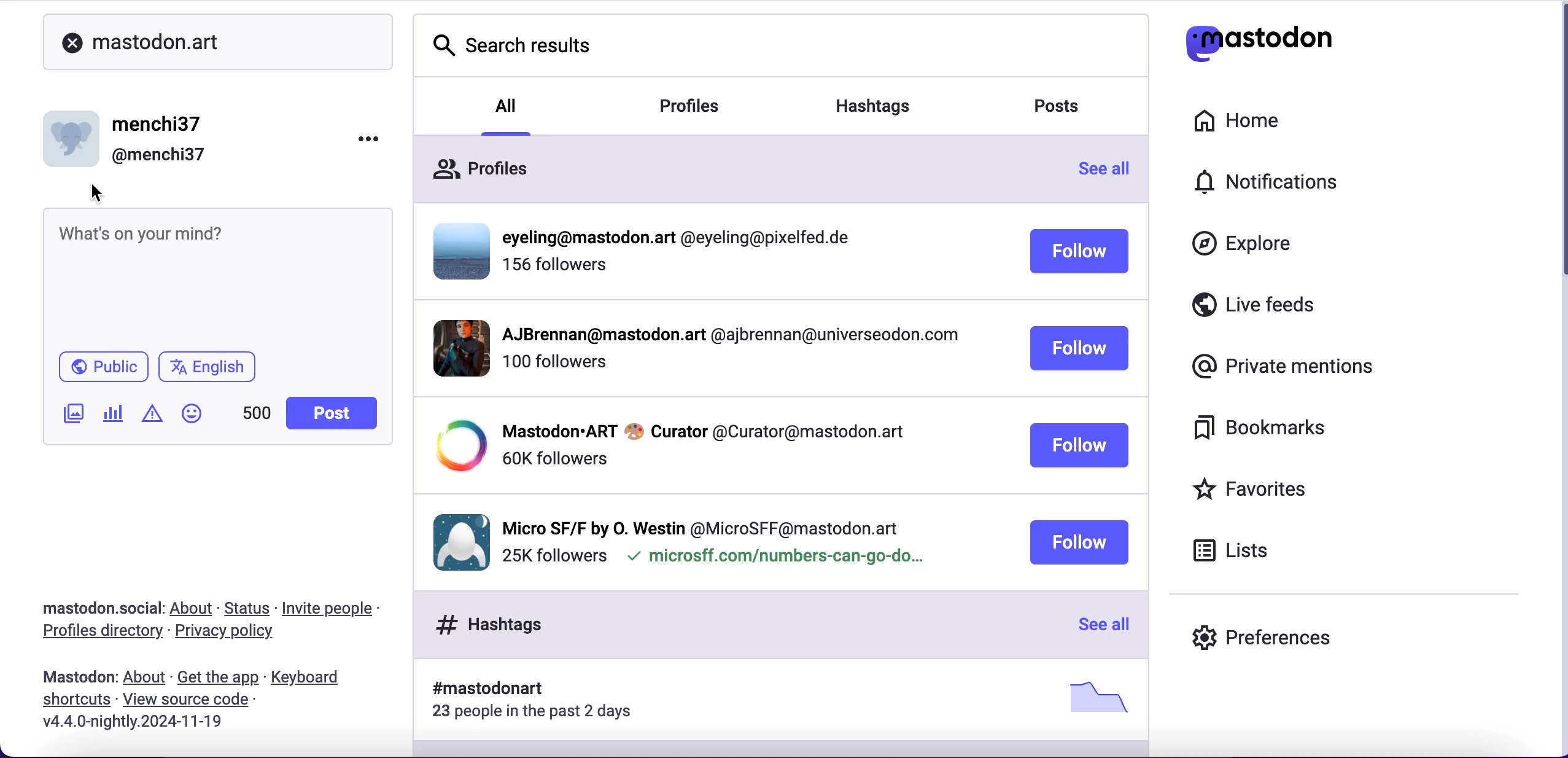  I want to click on cursor, so click(99, 192).